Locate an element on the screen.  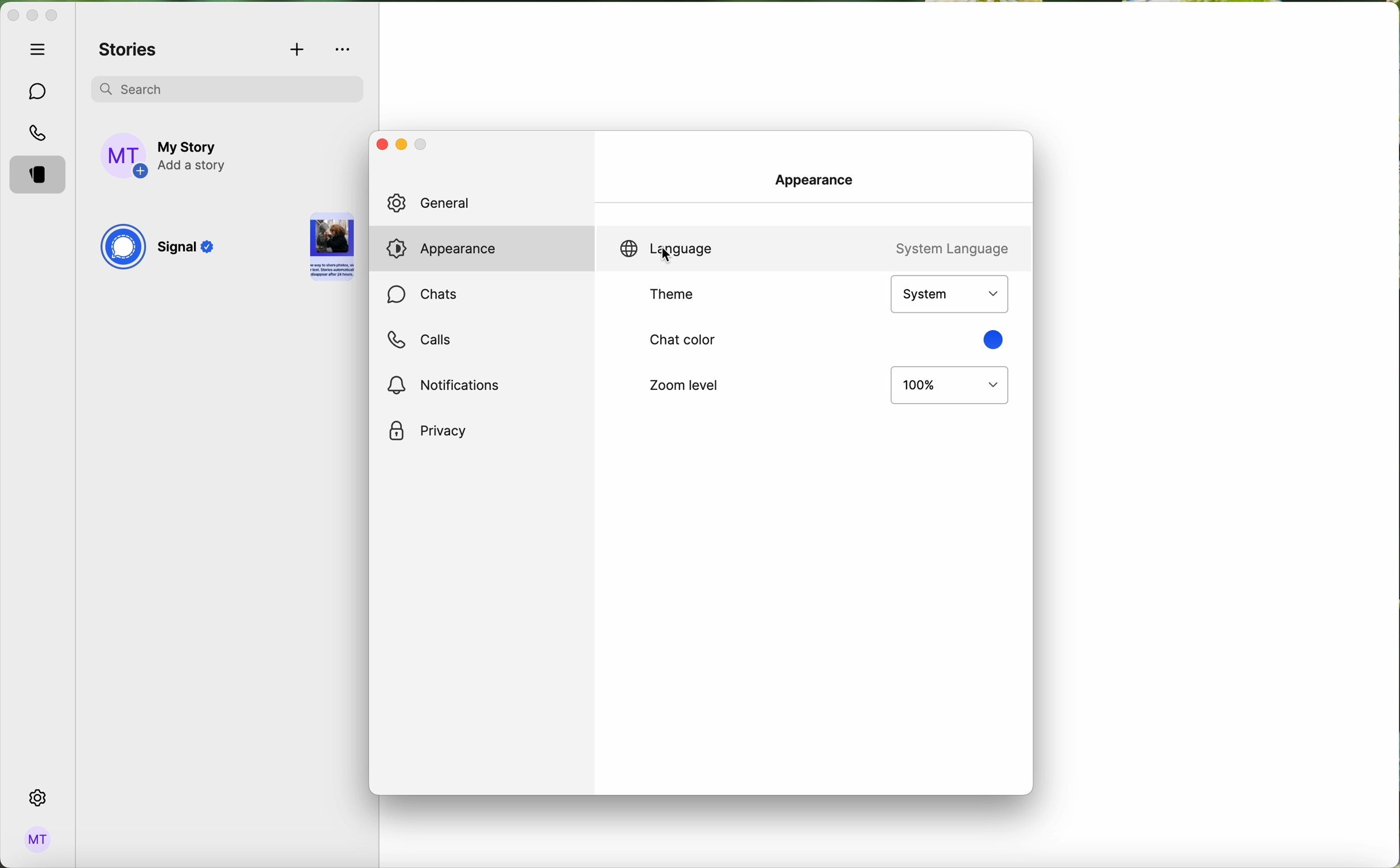
stories is located at coordinates (41, 176).